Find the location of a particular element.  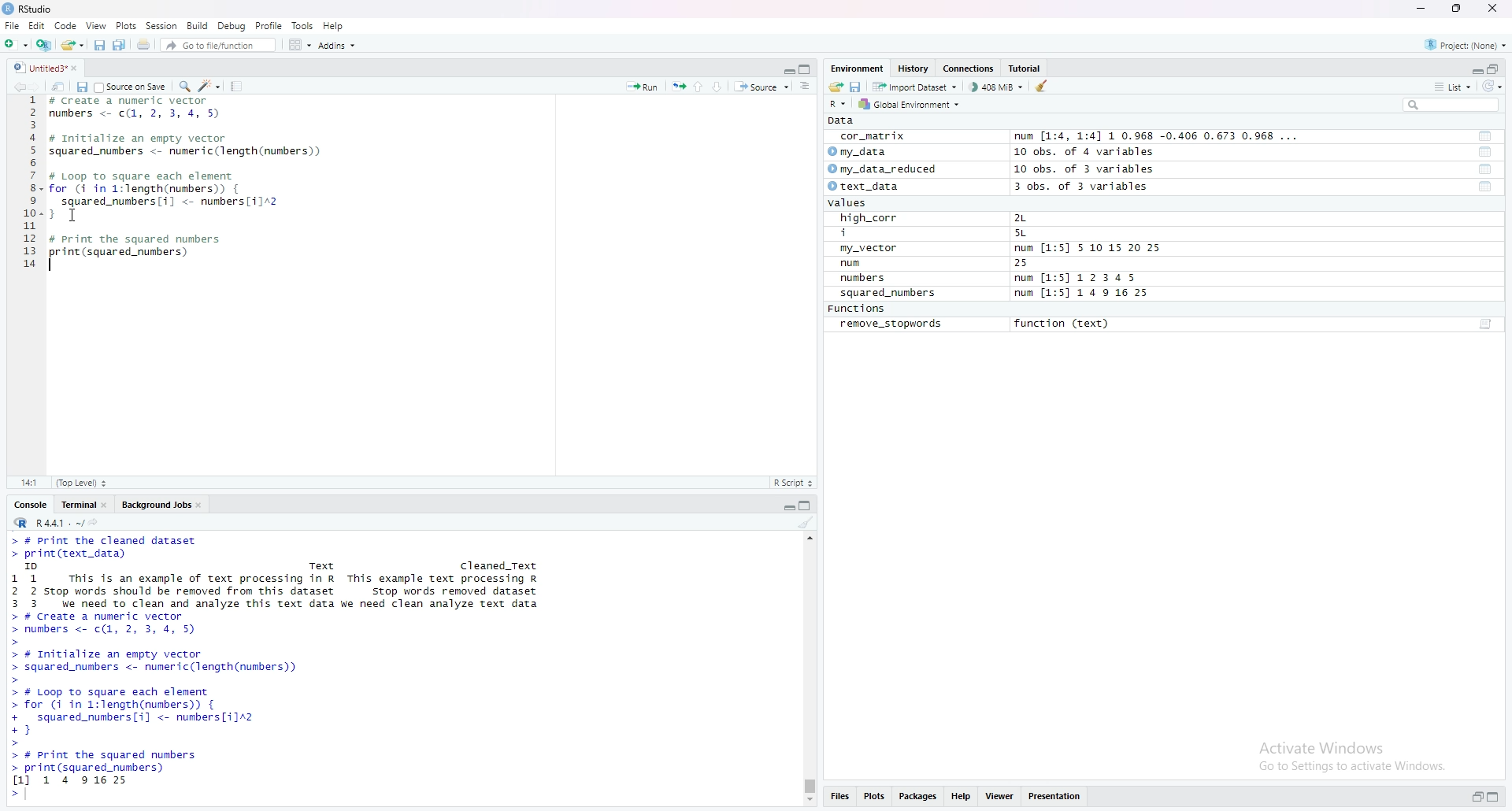

3 obs. of 3 variables is located at coordinates (1091, 187).